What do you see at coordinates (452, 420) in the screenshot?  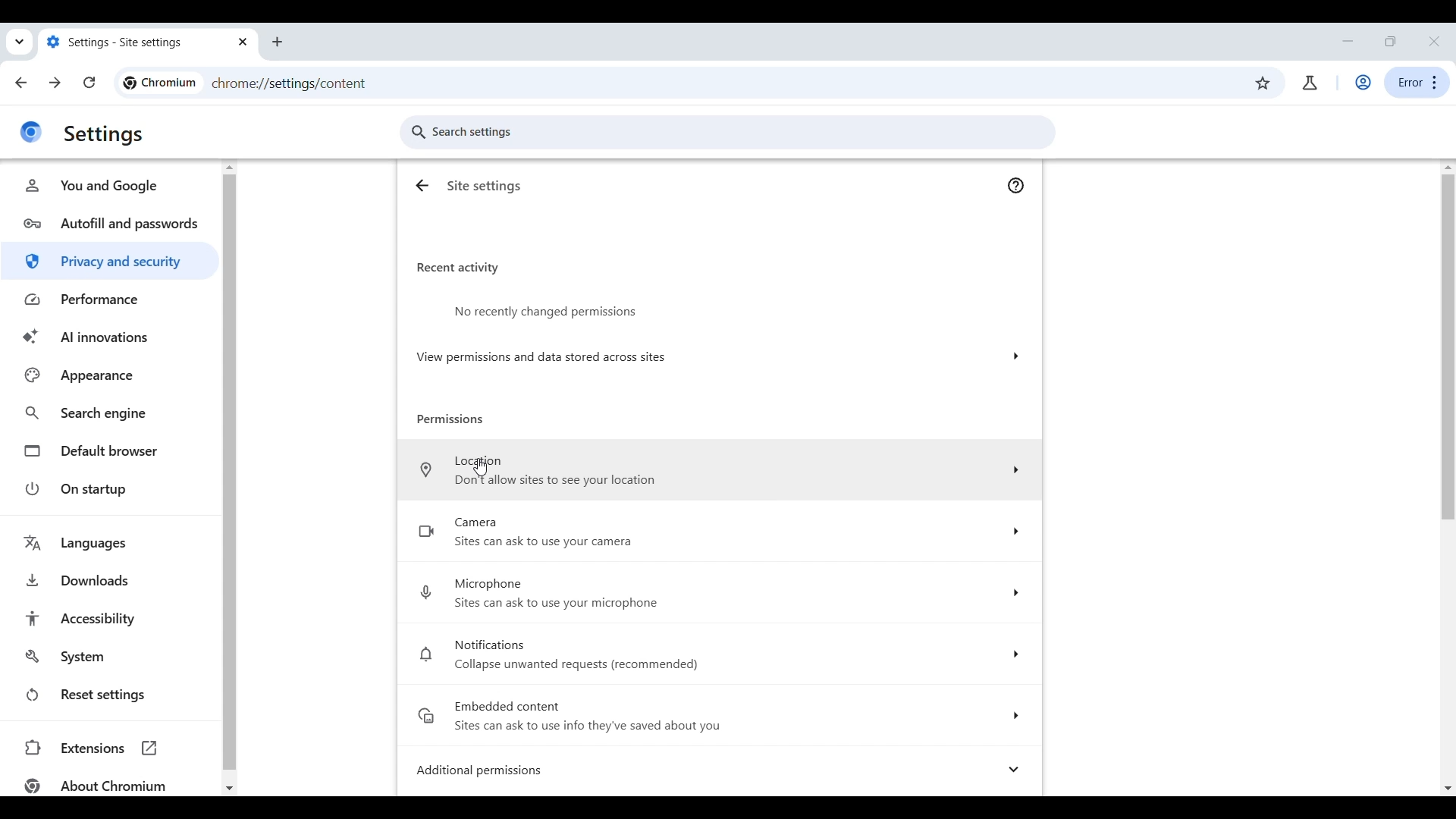 I see `Permissions ` at bounding box center [452, 420].